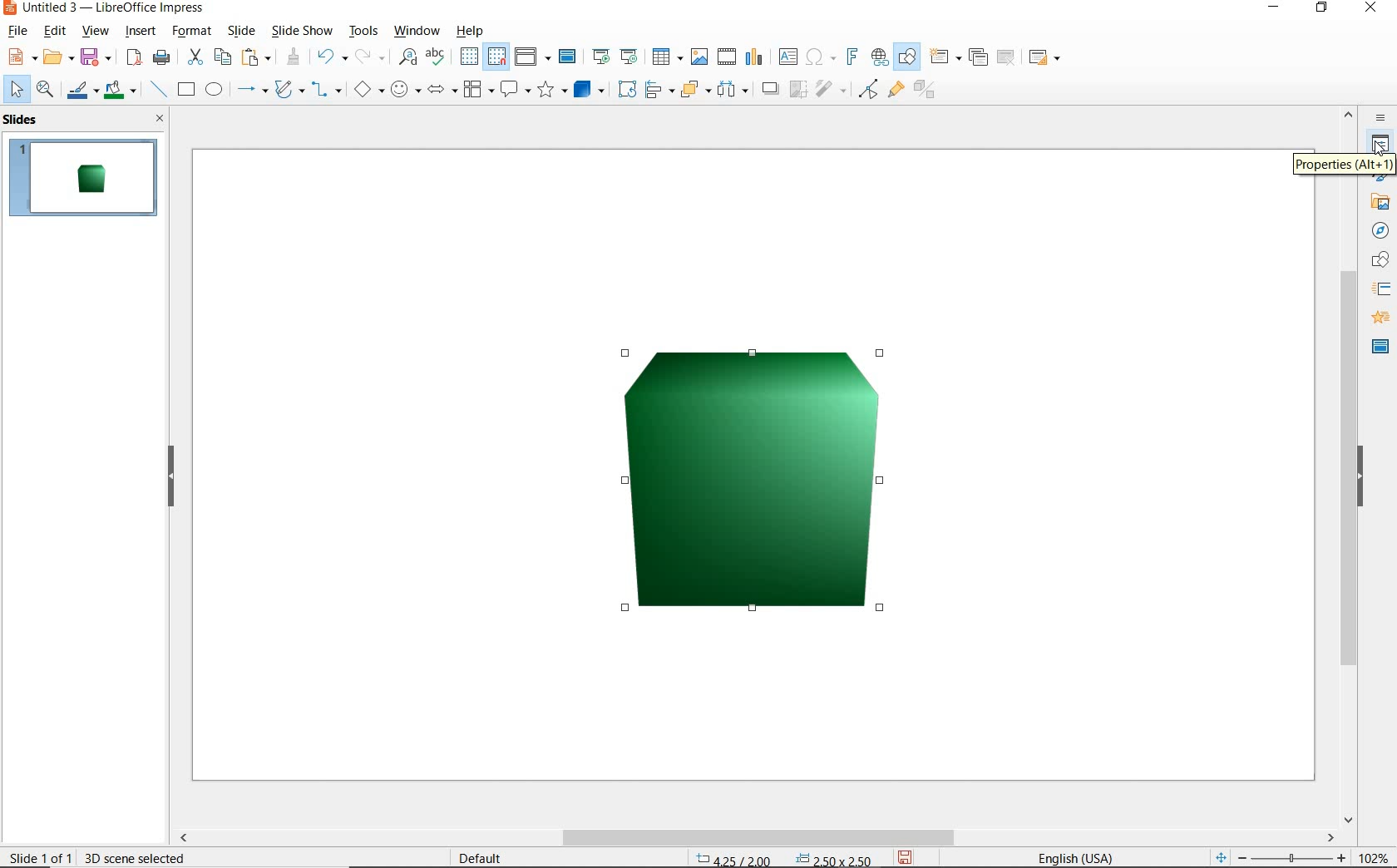 This screenshot has height=868, width=1397. I want to click on SAVE, so click(910, 856).